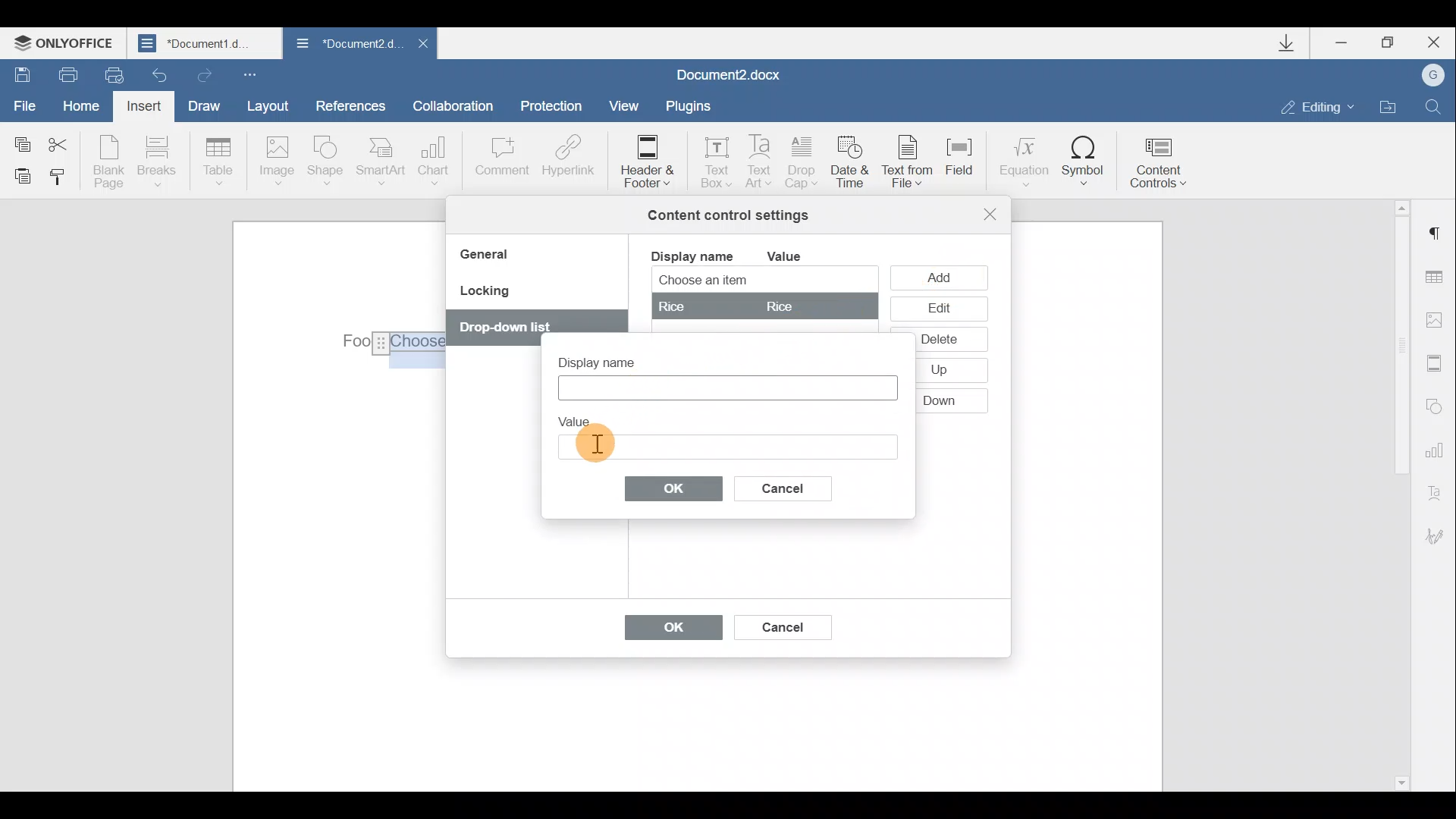  I want to click on Layout, so click(267, 105).